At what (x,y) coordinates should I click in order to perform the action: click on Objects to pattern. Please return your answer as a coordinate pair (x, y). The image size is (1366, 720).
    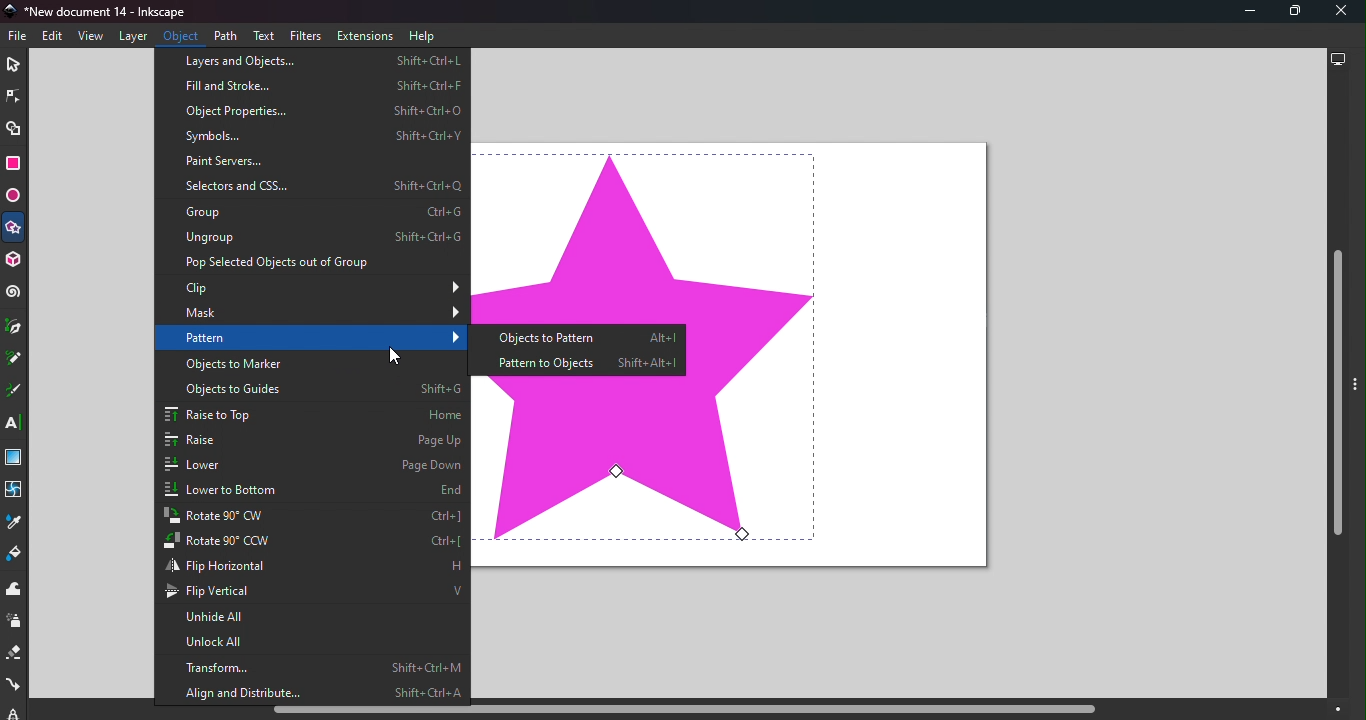
    Looking at the image, I should click on (581, 339).